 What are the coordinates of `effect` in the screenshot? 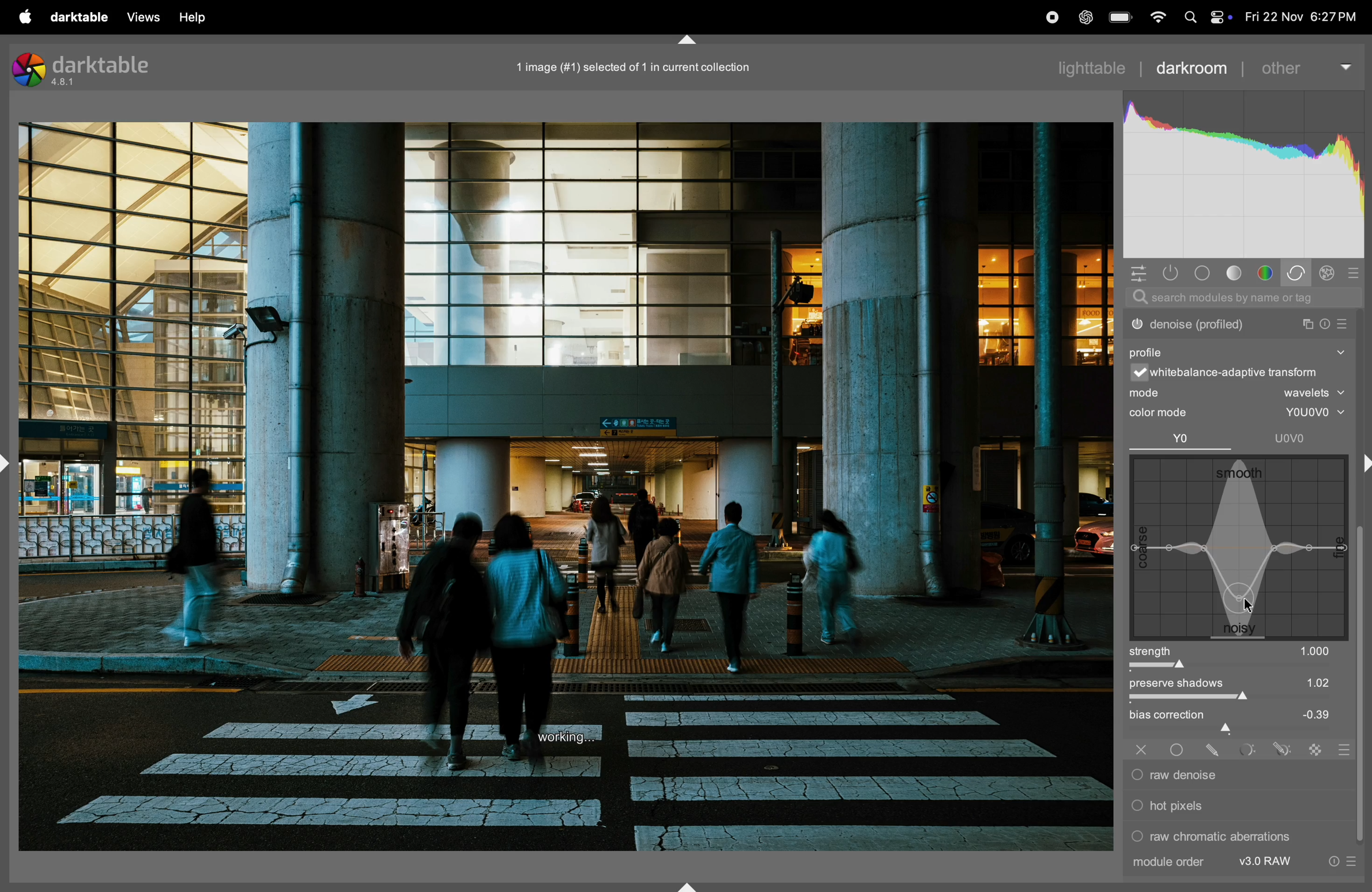 It's located at (1328, 274).